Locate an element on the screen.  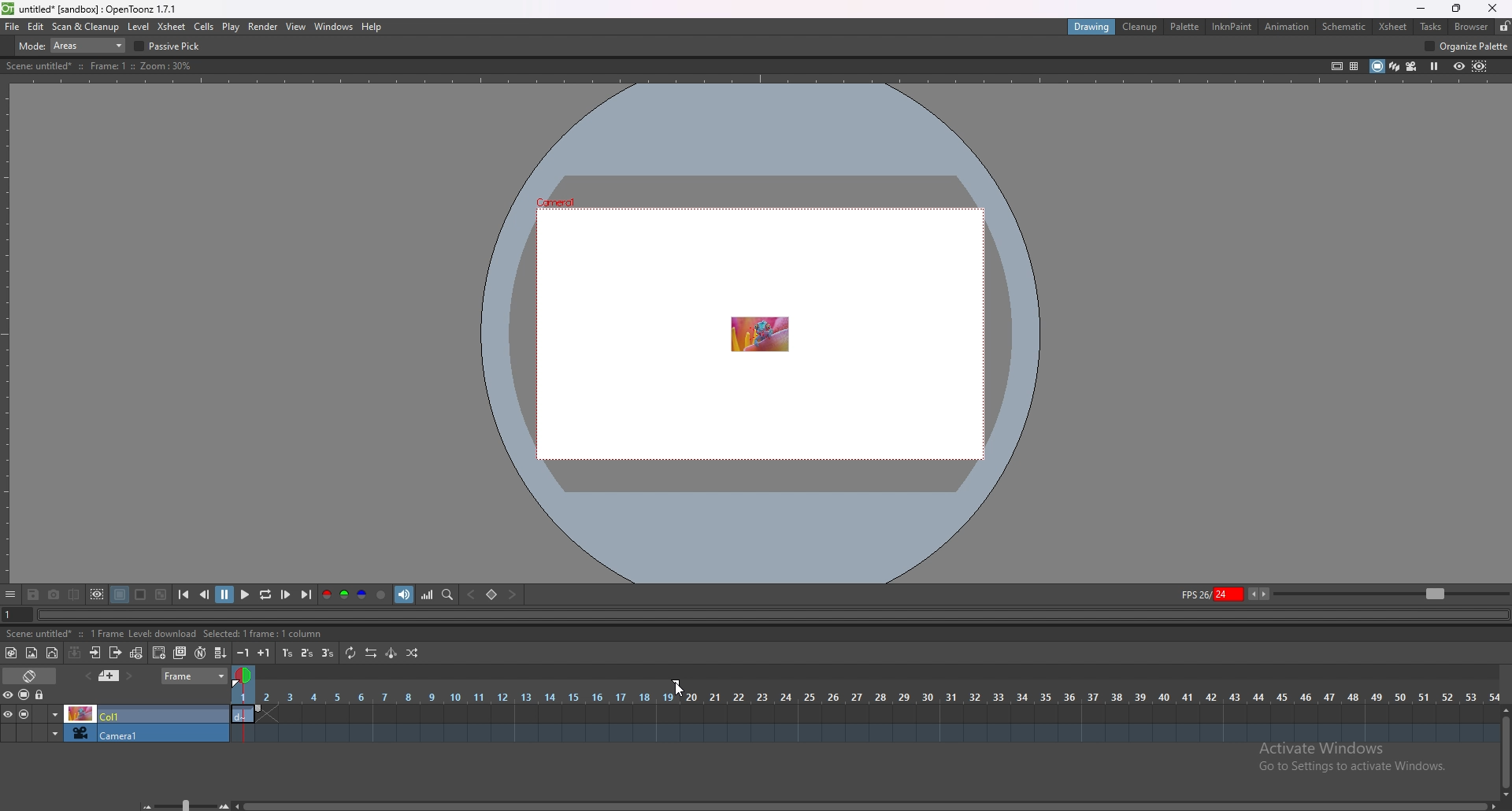
play is located at coordinates (246, 593).